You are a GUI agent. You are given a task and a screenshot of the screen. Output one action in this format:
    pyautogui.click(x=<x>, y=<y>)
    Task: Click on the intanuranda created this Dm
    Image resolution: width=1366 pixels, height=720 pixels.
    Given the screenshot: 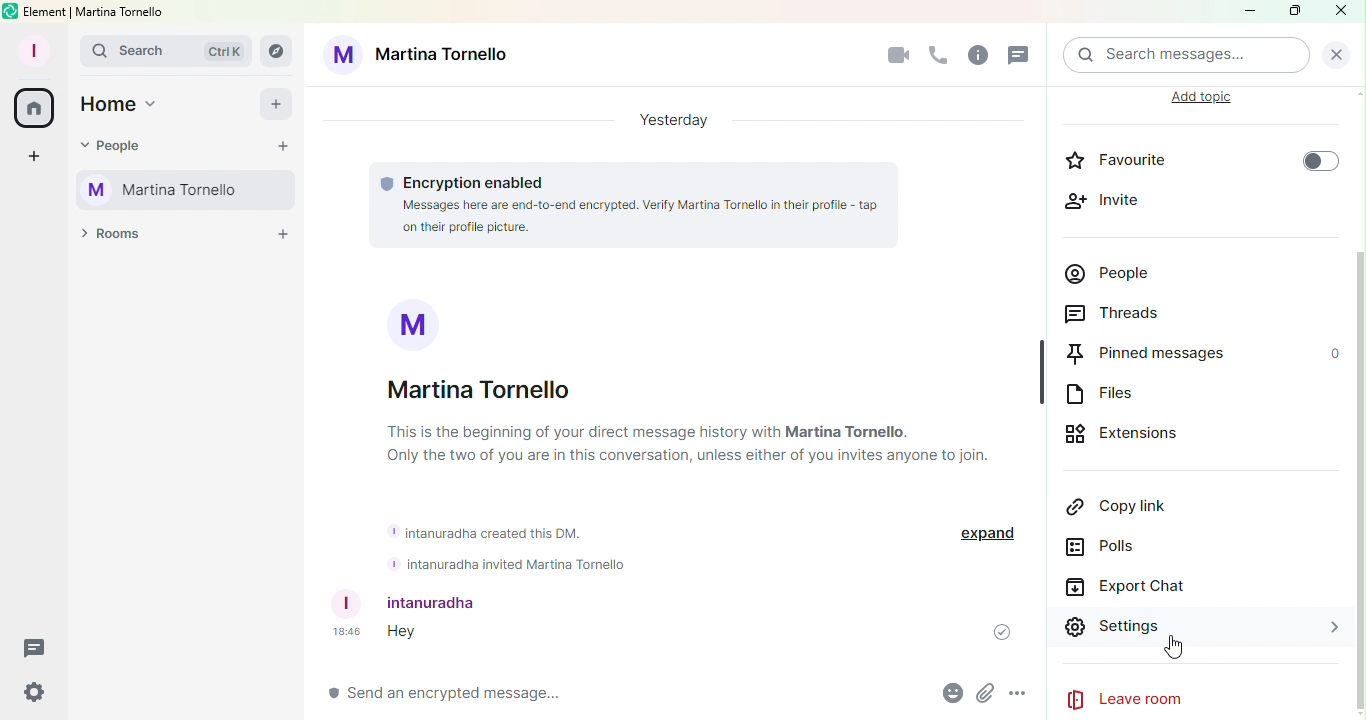 What is the action you would take?
    pyautogui.click(x=492, y=528)
    